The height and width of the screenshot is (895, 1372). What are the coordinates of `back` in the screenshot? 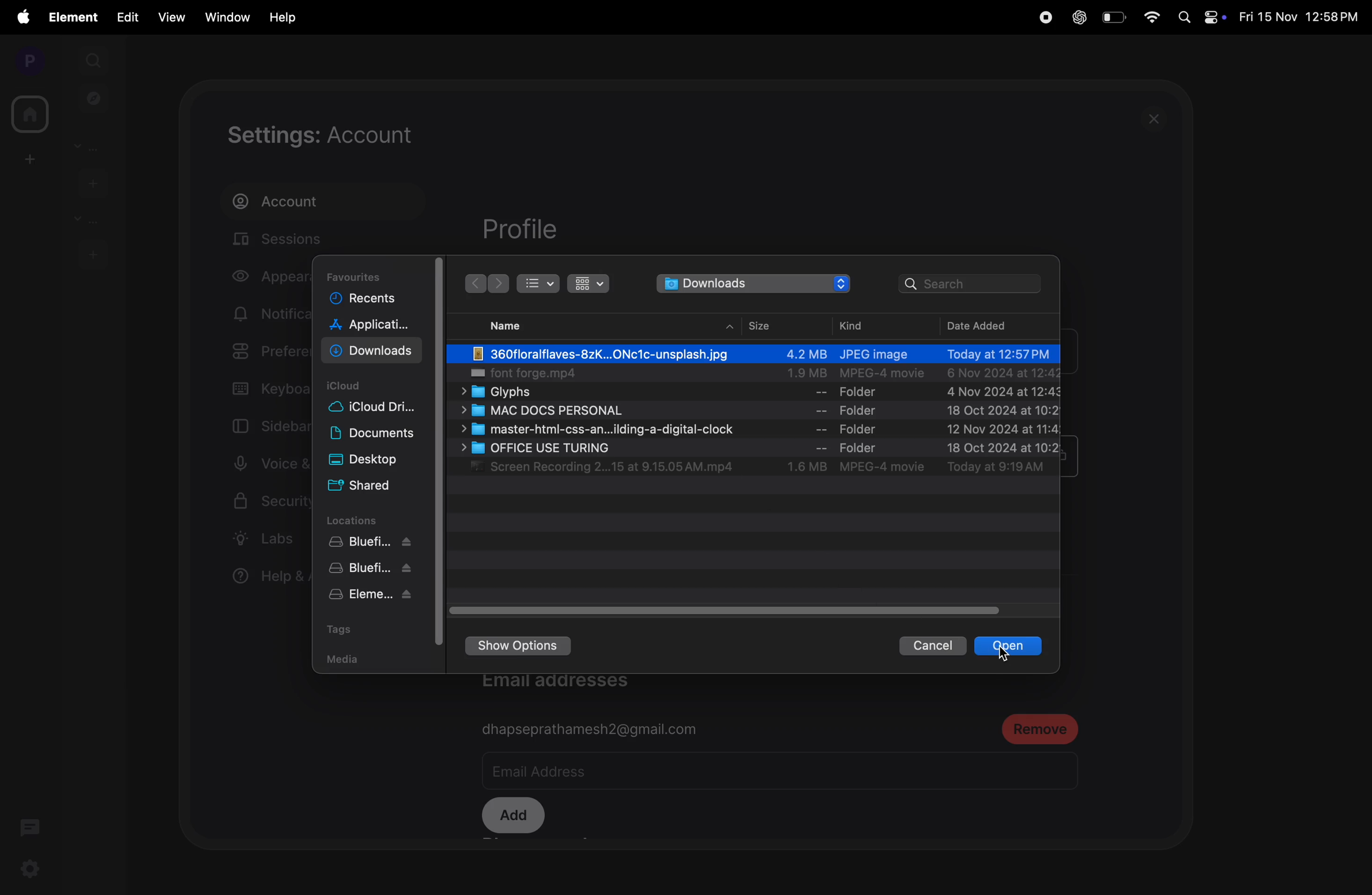 It's located at (499, 284).